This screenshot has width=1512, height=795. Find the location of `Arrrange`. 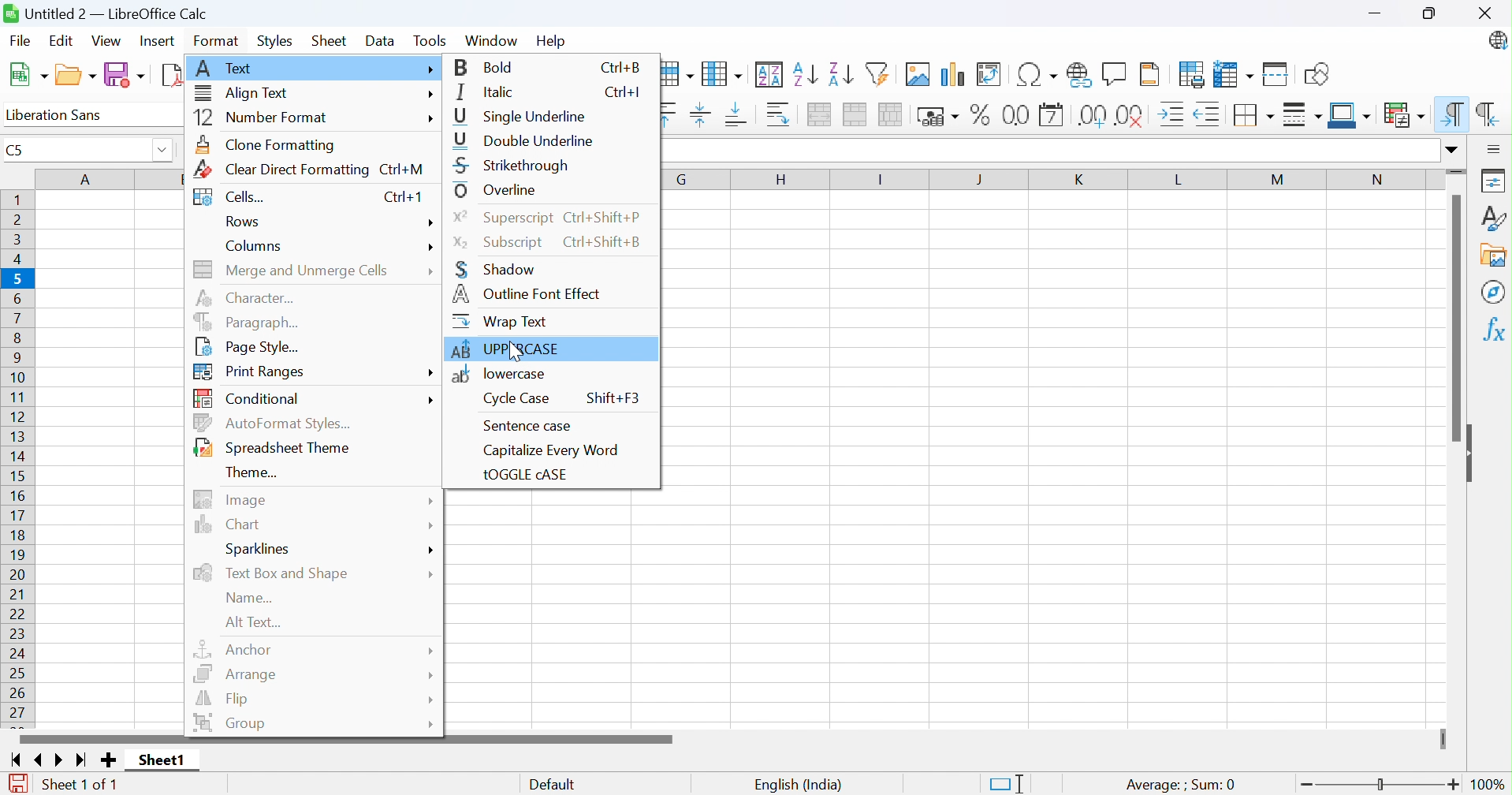

Arrrange is located at coordinates (238, 674).